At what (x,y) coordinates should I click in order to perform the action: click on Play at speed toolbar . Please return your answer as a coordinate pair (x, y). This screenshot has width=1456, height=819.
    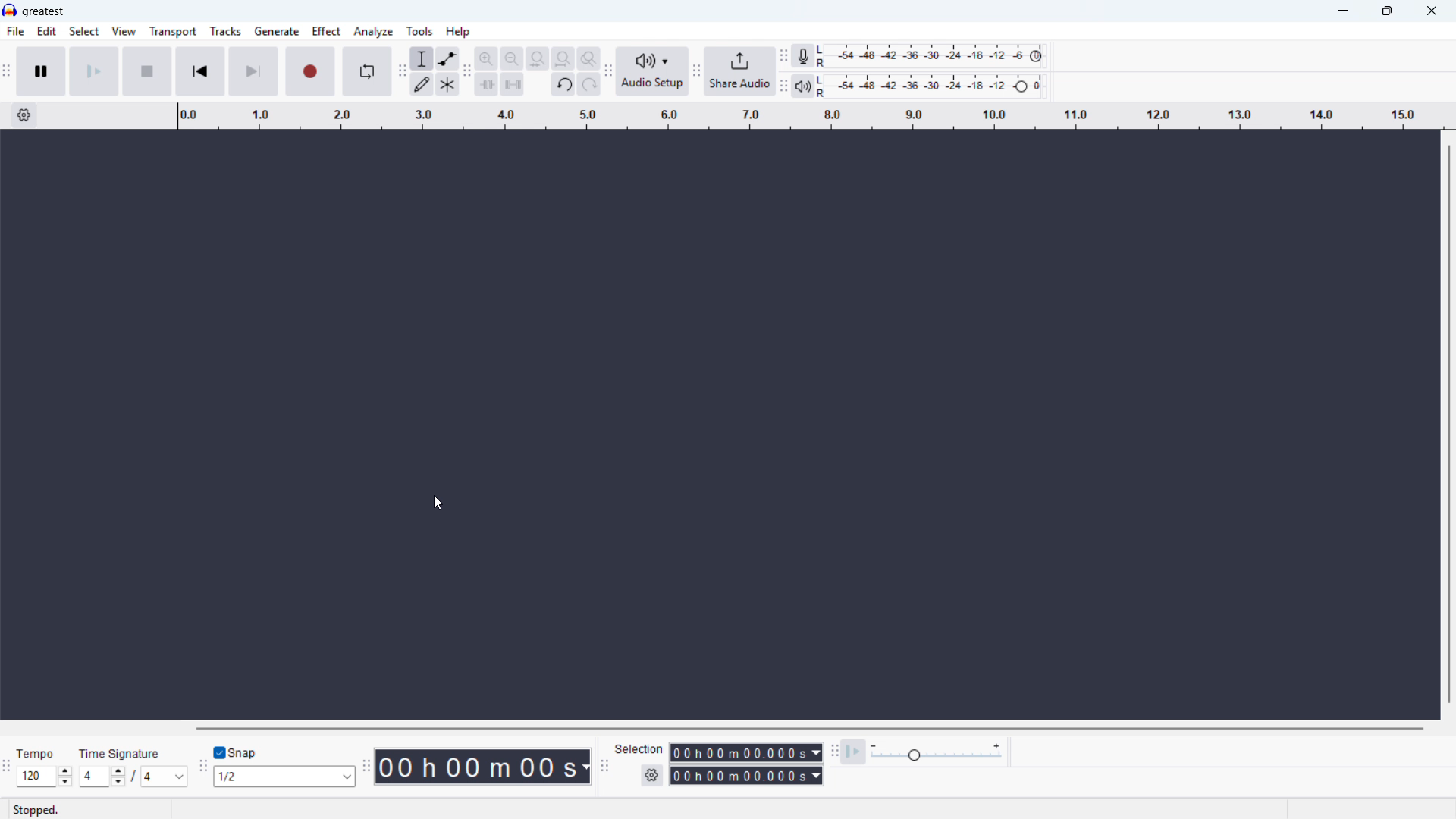
    Looking at the image, I should click on (834, 754).